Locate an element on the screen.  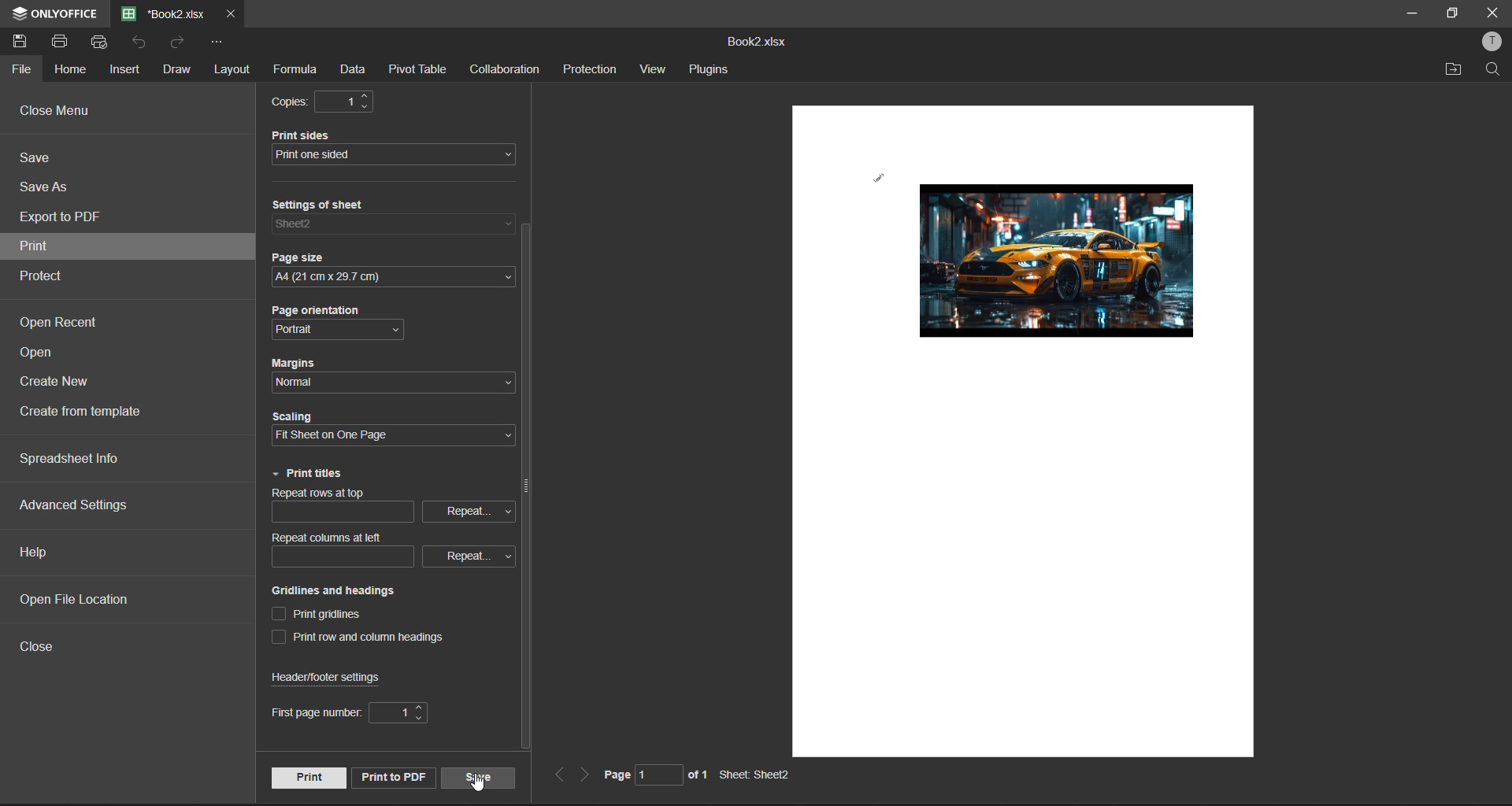
home is located at coordinates (71, 72).